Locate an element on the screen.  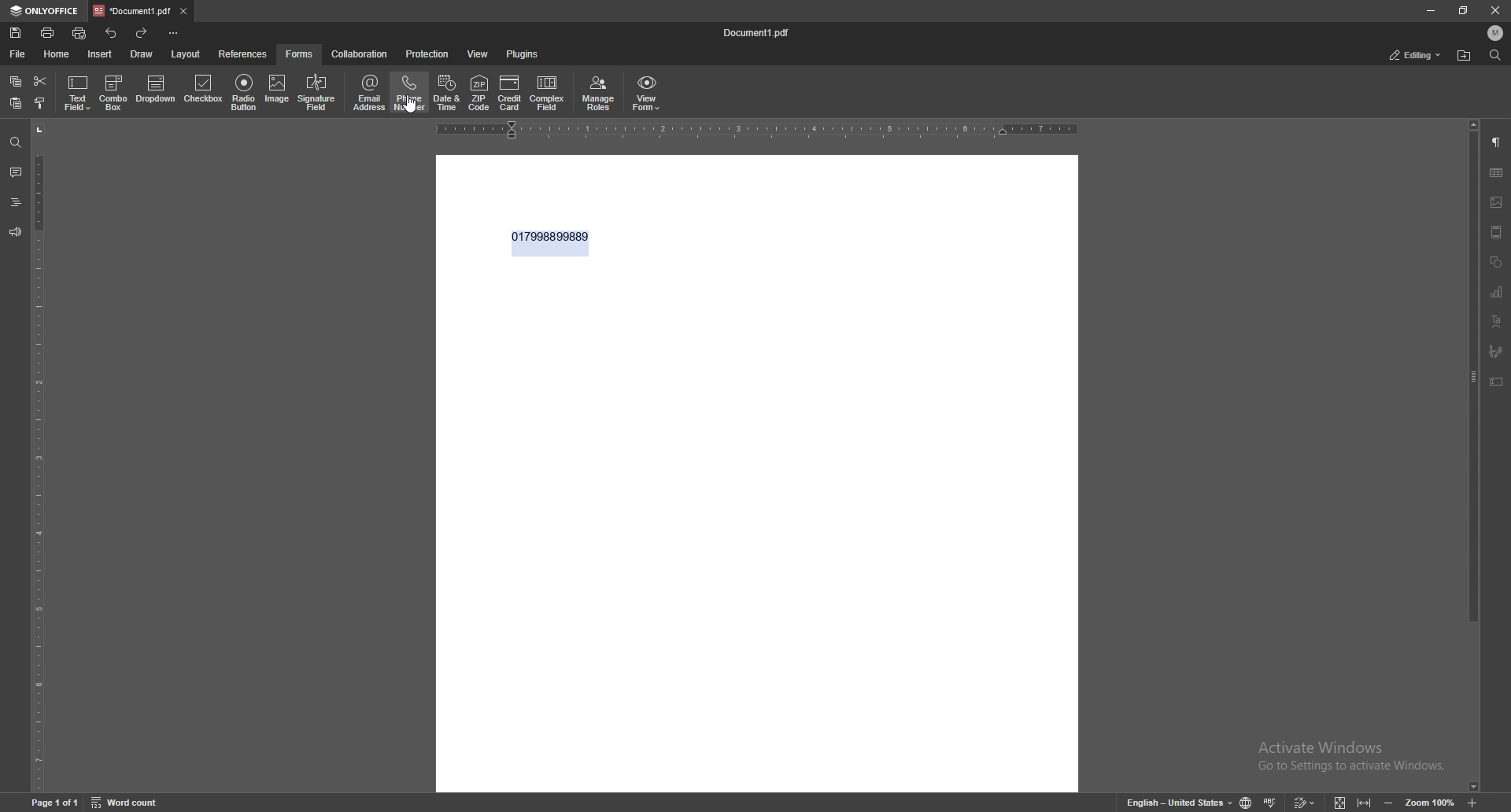
layout is located at coordinates (187, 54).